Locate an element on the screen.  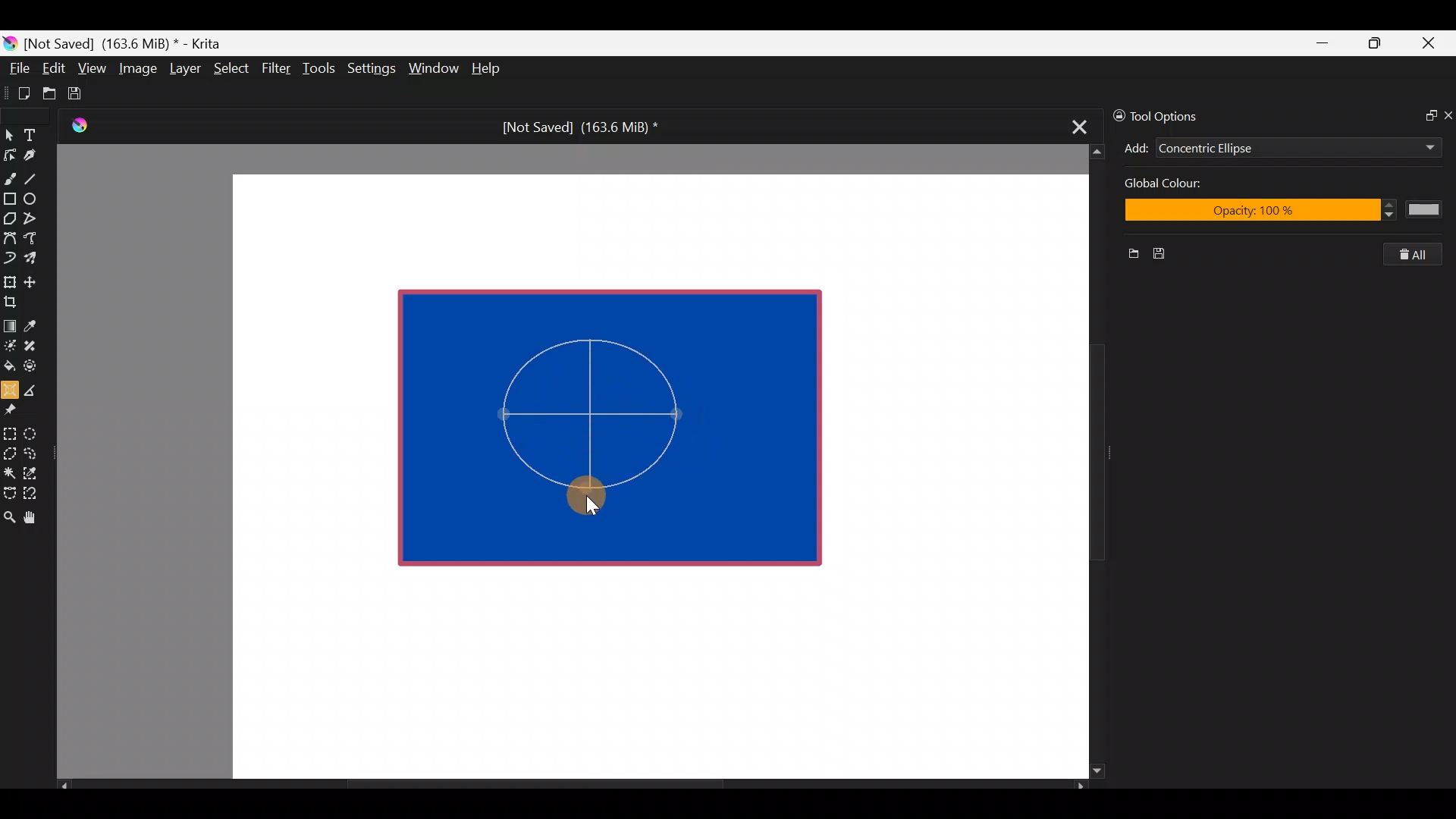
Edit is located at coordinates (53, 71).